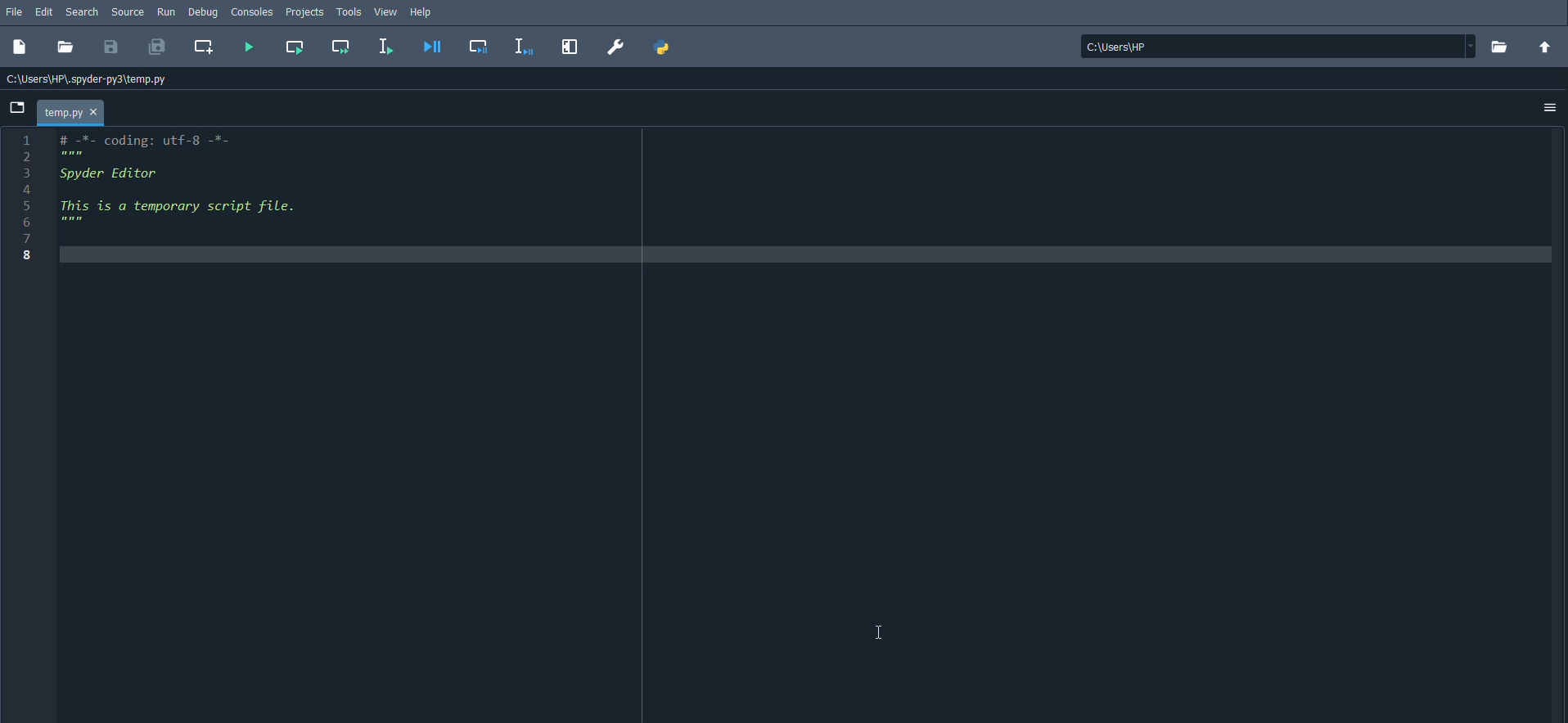  What do you see at coordinates (435, 46) in the screenshot?
I see `Debug file` at bounding box center [435, 46].